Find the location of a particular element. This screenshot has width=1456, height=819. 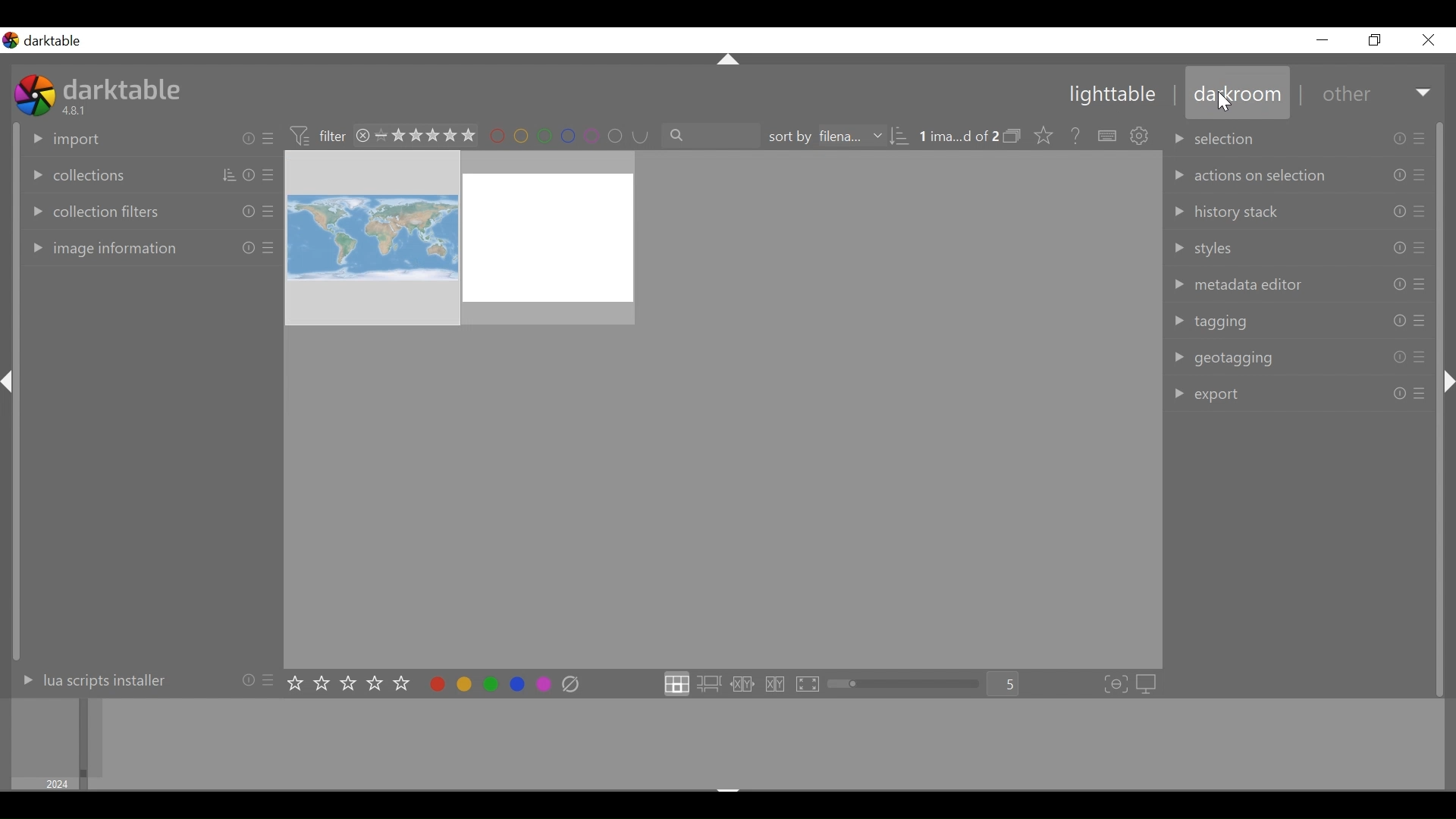

Collection is located at coordinates (146, 173).